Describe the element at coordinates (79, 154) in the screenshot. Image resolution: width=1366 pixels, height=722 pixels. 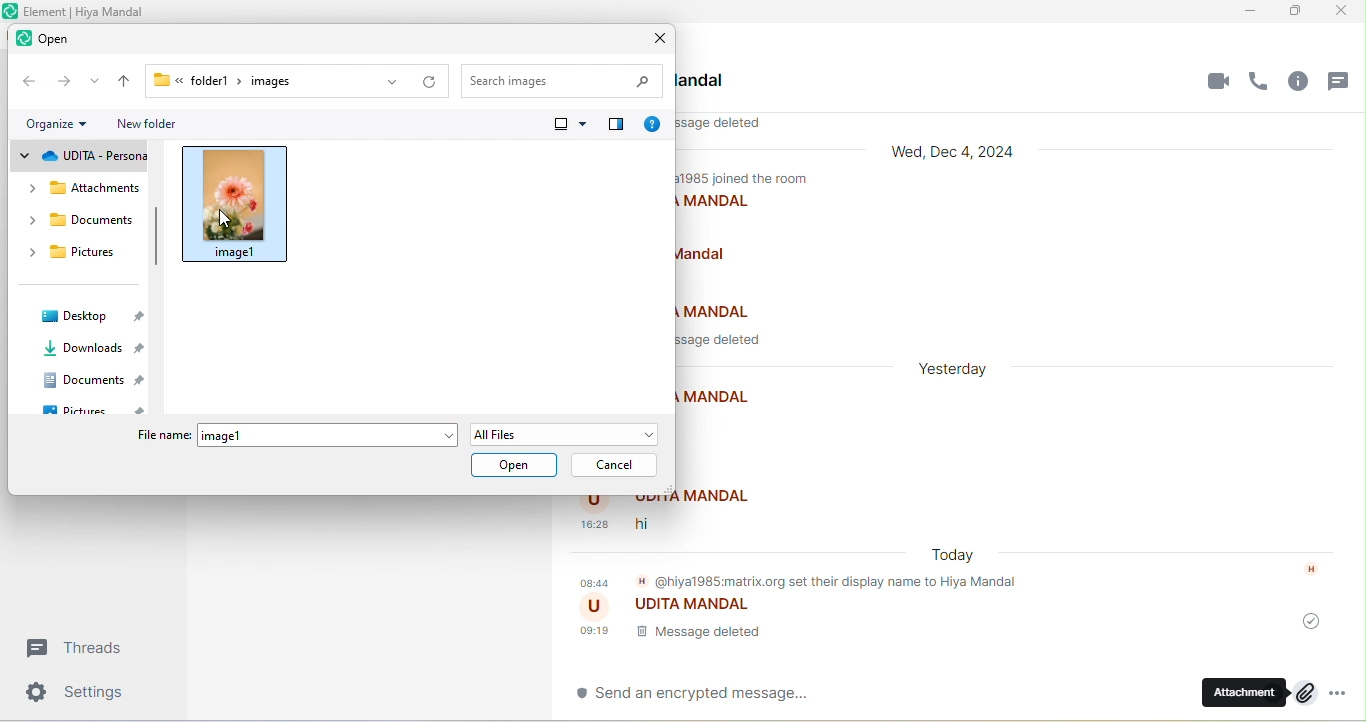
I see `udita` at that location.